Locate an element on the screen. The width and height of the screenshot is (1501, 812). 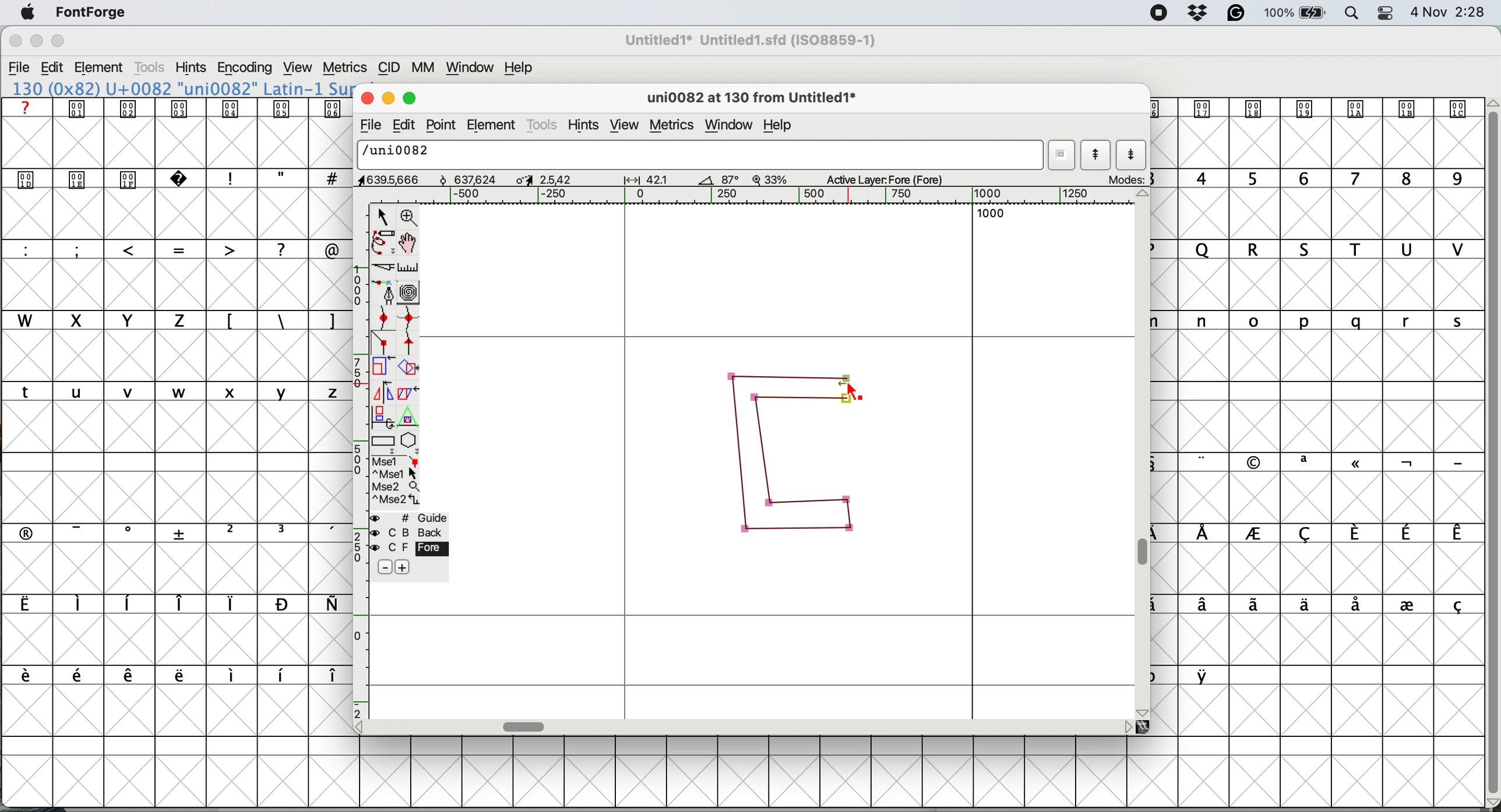
scroll button is located at coordinates (364, 726).